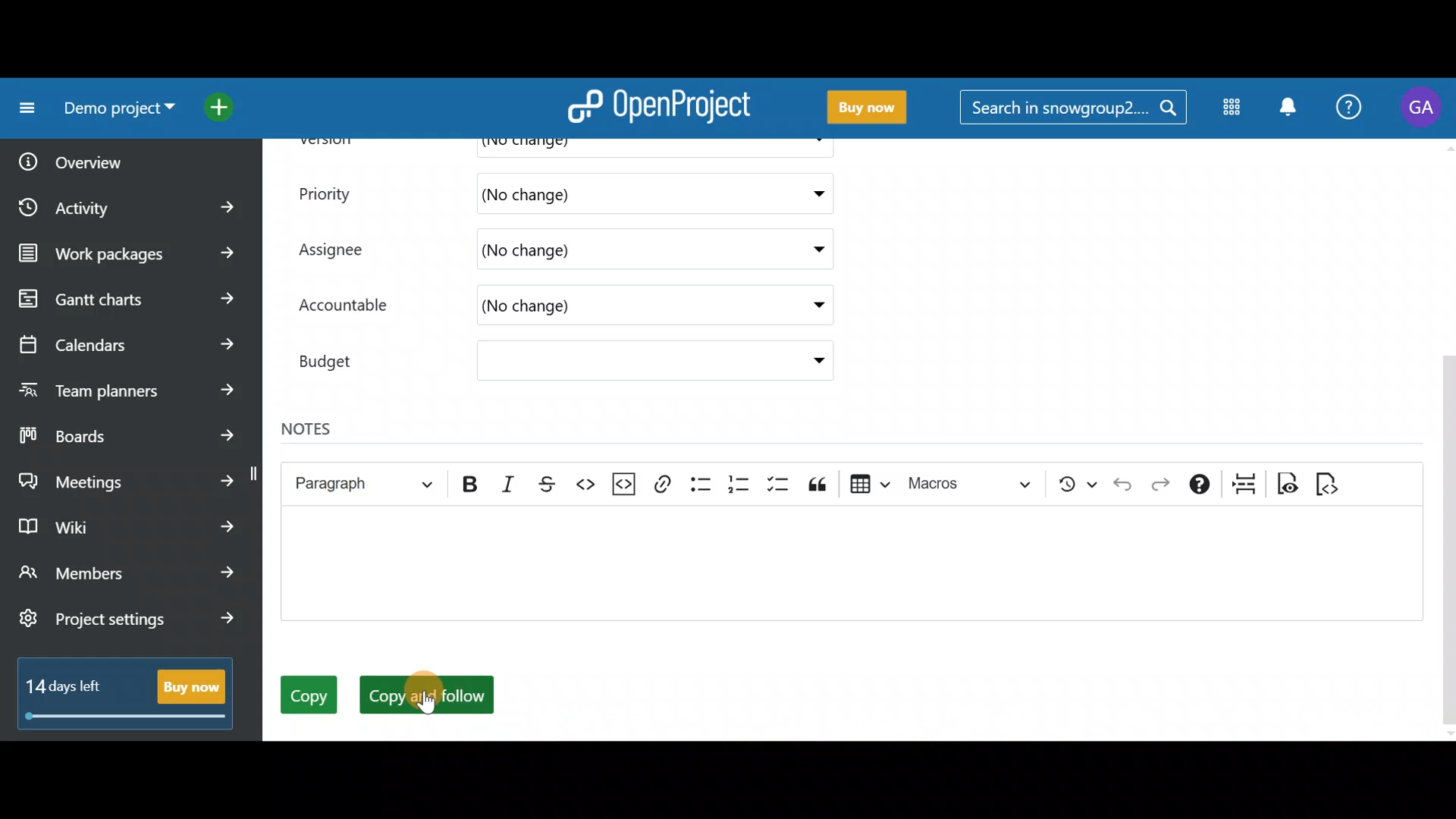 The height and width of the screenshot is (819, 1456). I want to click on Wiki, so click(124, 522).